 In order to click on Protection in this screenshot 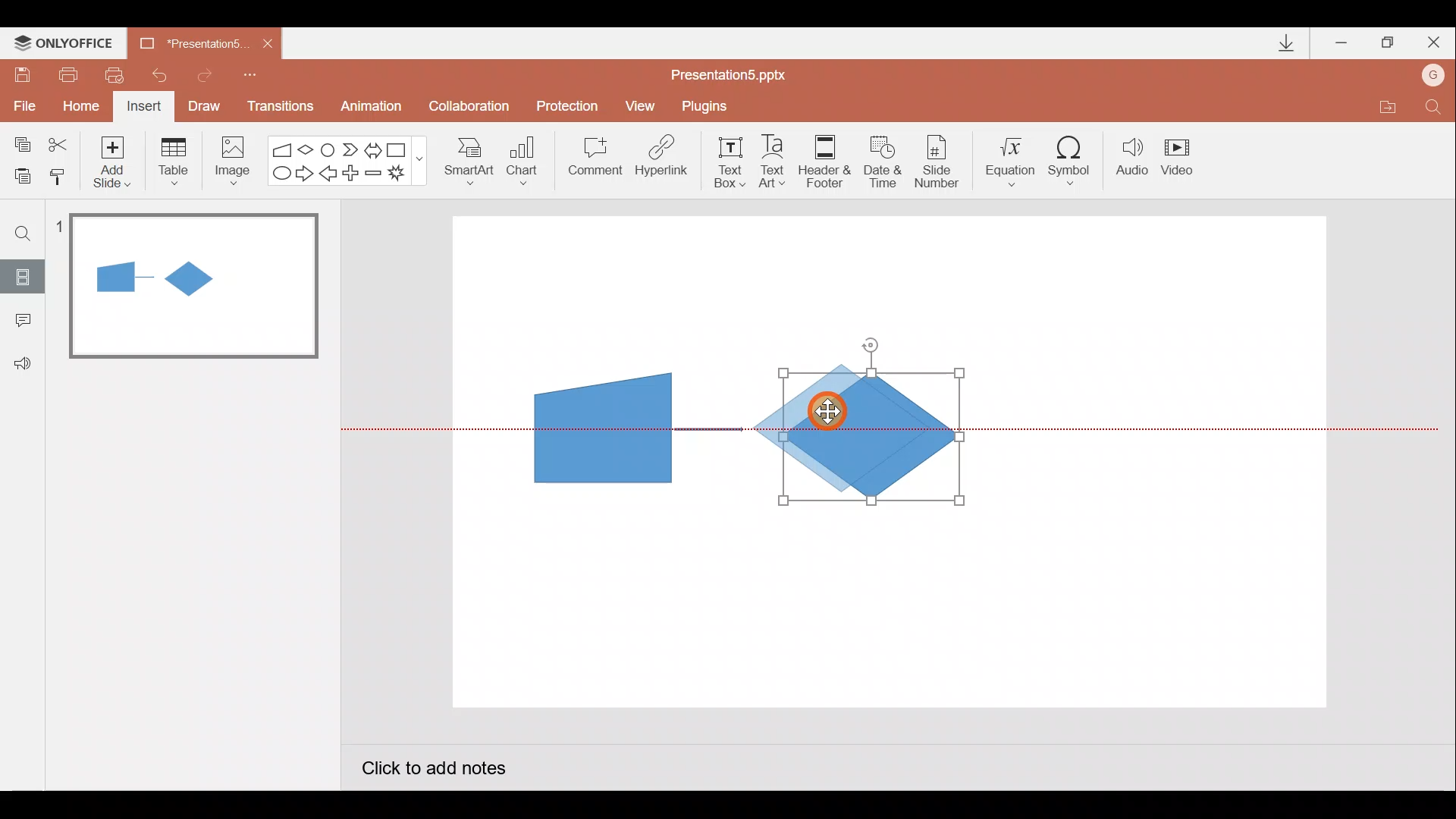, I will do `click(572, 105)`.